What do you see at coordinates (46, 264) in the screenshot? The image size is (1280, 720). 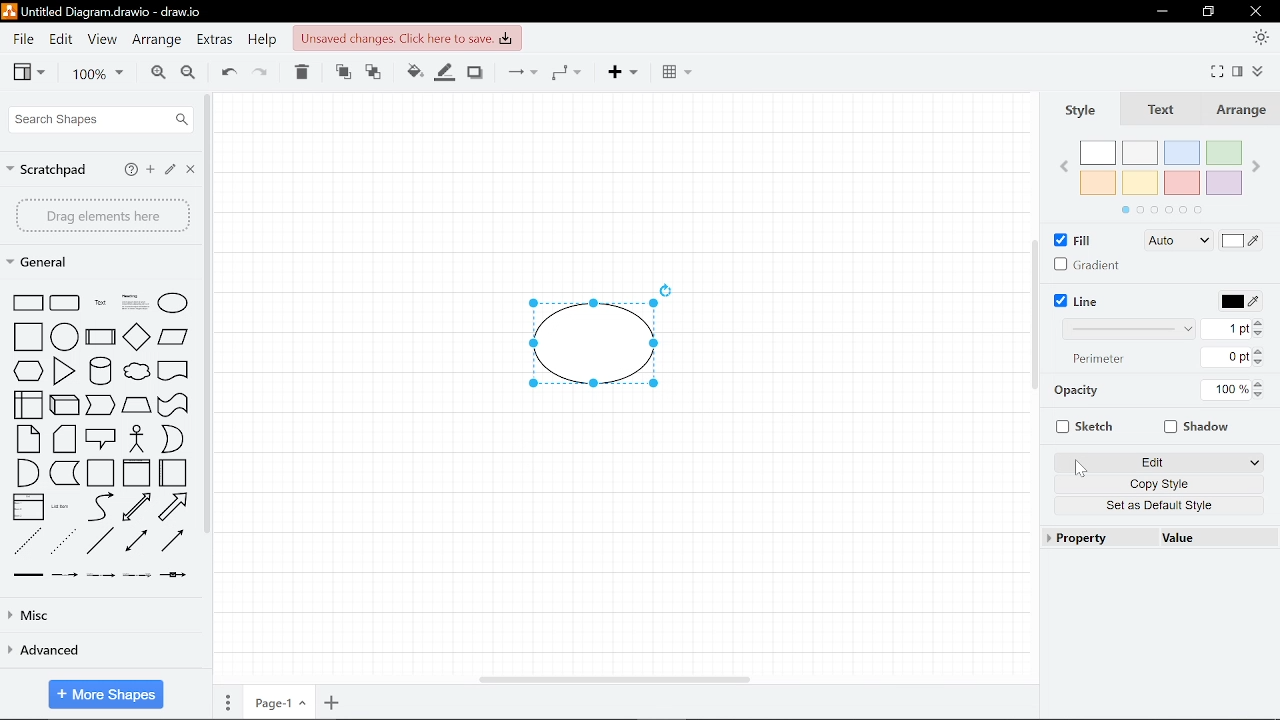 I see `General ` at bounding box center [46, 264].